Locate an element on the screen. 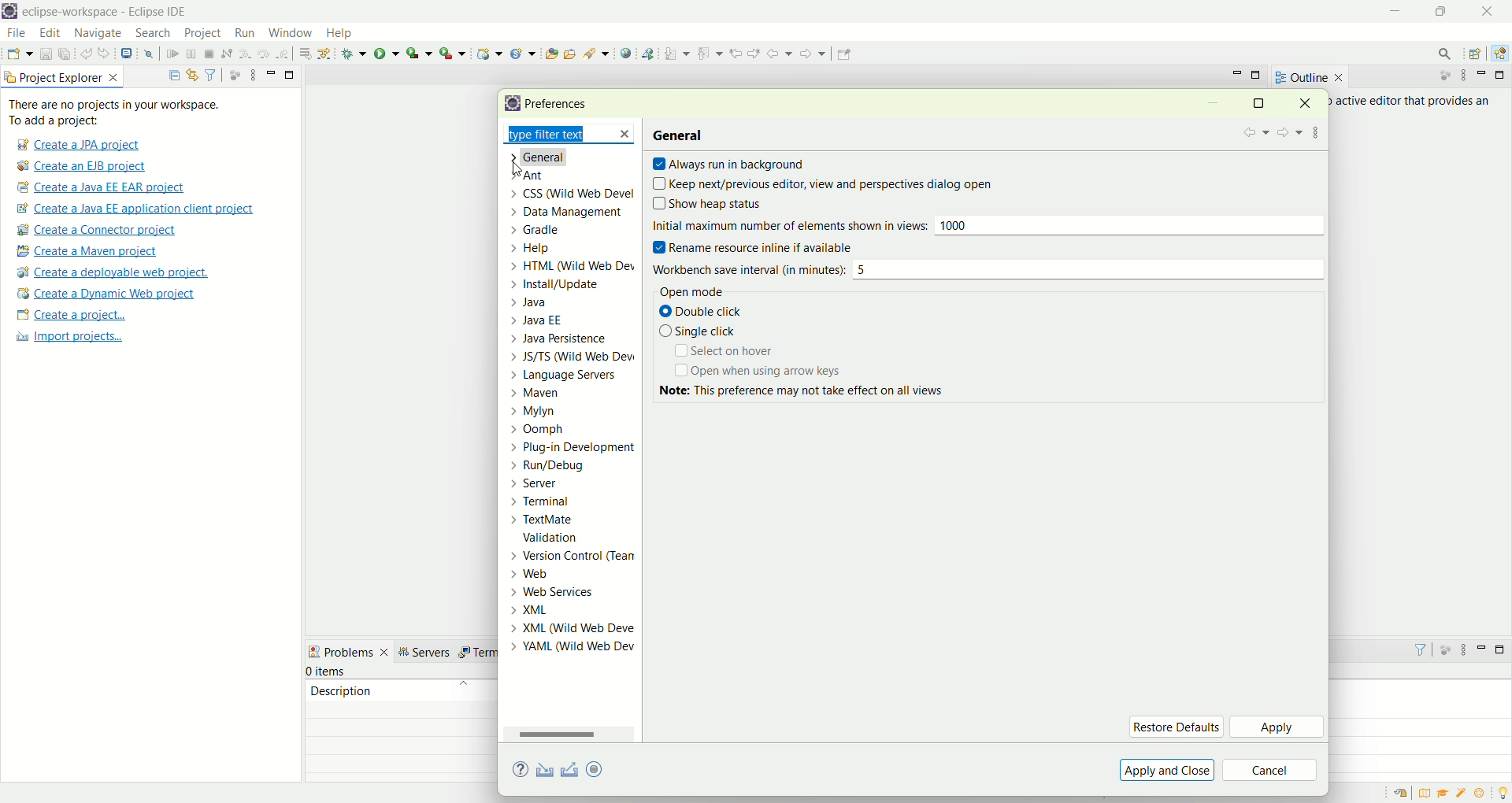 The width and height of the screenshot is (1512, 803). type filter text is located at coordinates (550, 136).